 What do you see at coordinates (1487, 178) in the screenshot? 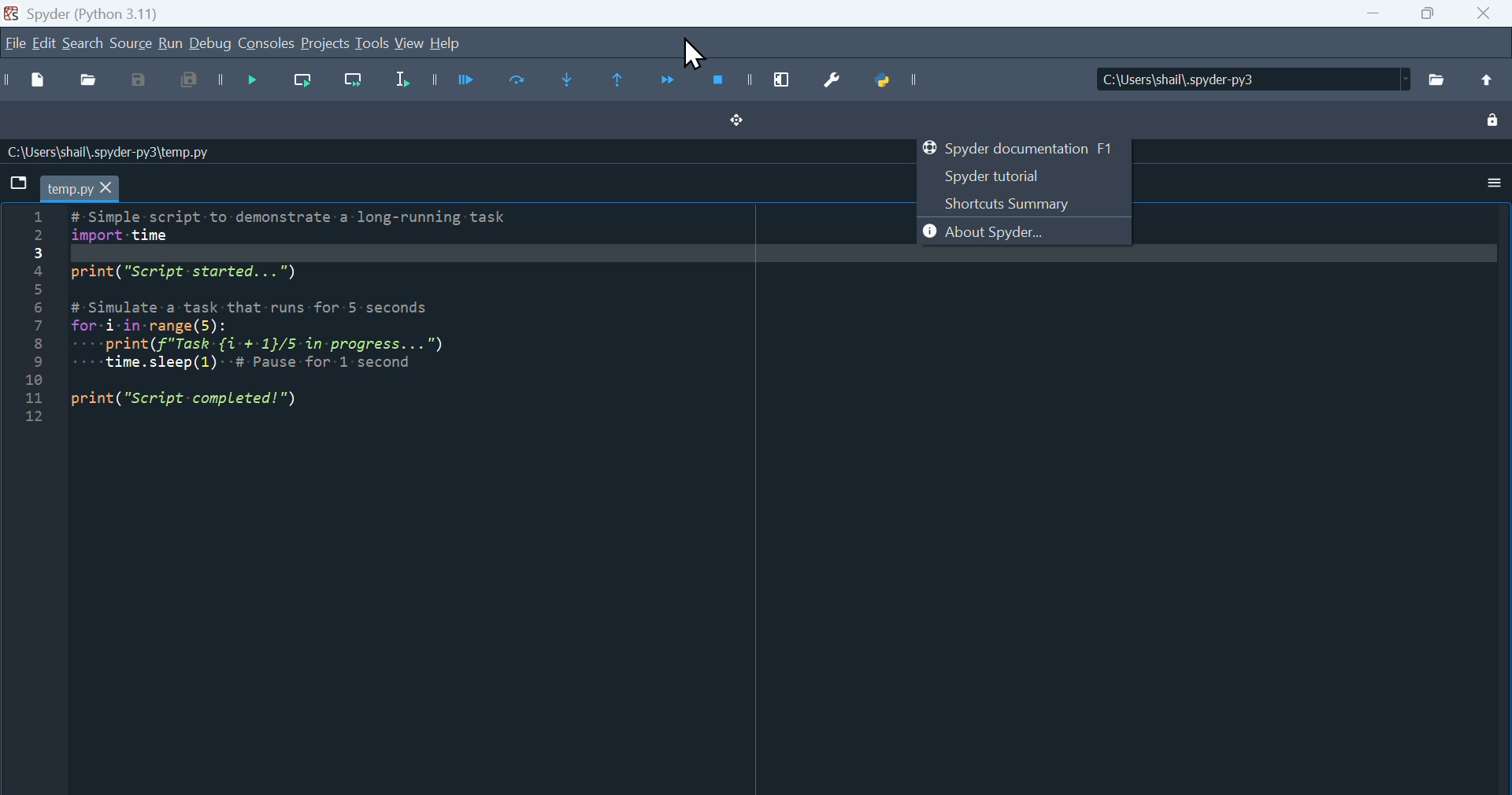
I see `More options` at bounding box center [1487, 178].